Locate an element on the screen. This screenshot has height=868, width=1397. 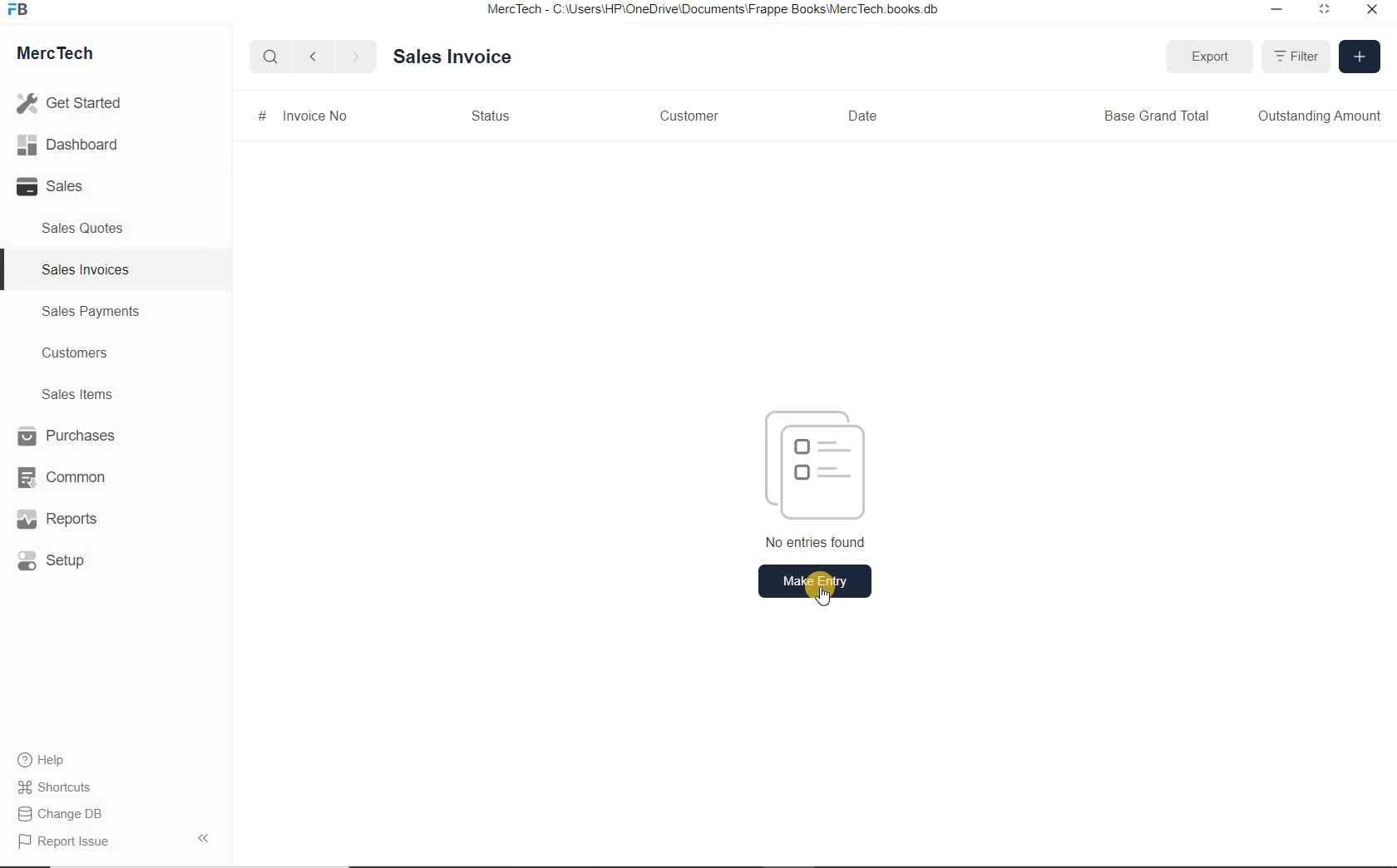
Create new is located at coordinates (1360, 57).